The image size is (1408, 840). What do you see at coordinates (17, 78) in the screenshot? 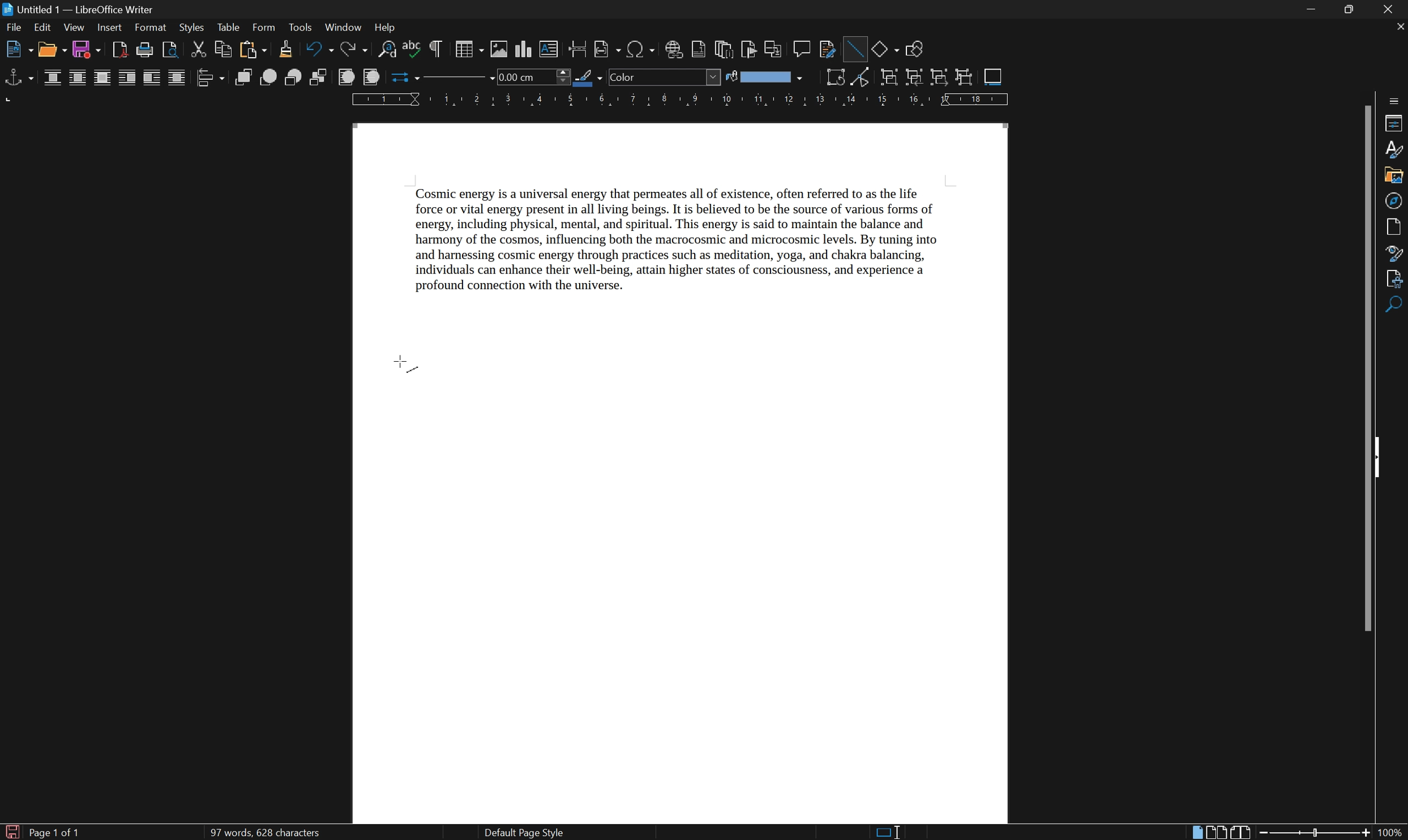
I see `select anchor for object` at bounding box center [17, 78].